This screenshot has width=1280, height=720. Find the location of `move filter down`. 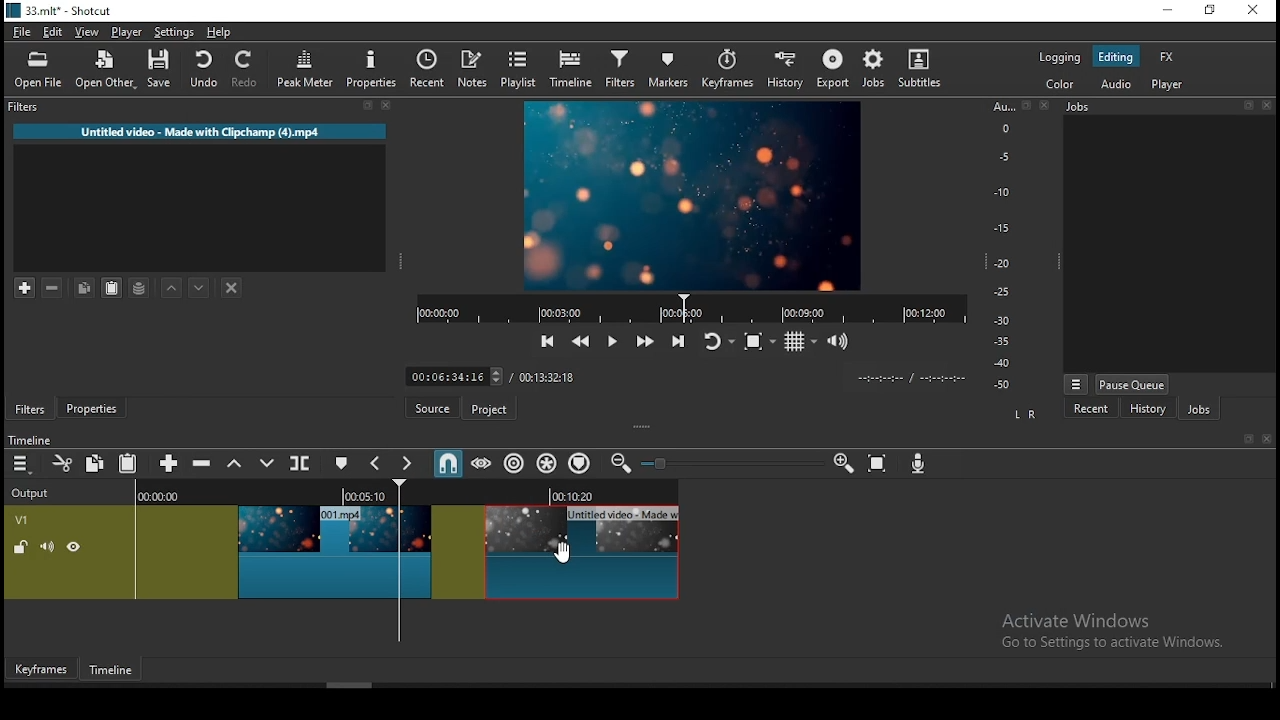

move filter down is located at coordinates (200, 286).